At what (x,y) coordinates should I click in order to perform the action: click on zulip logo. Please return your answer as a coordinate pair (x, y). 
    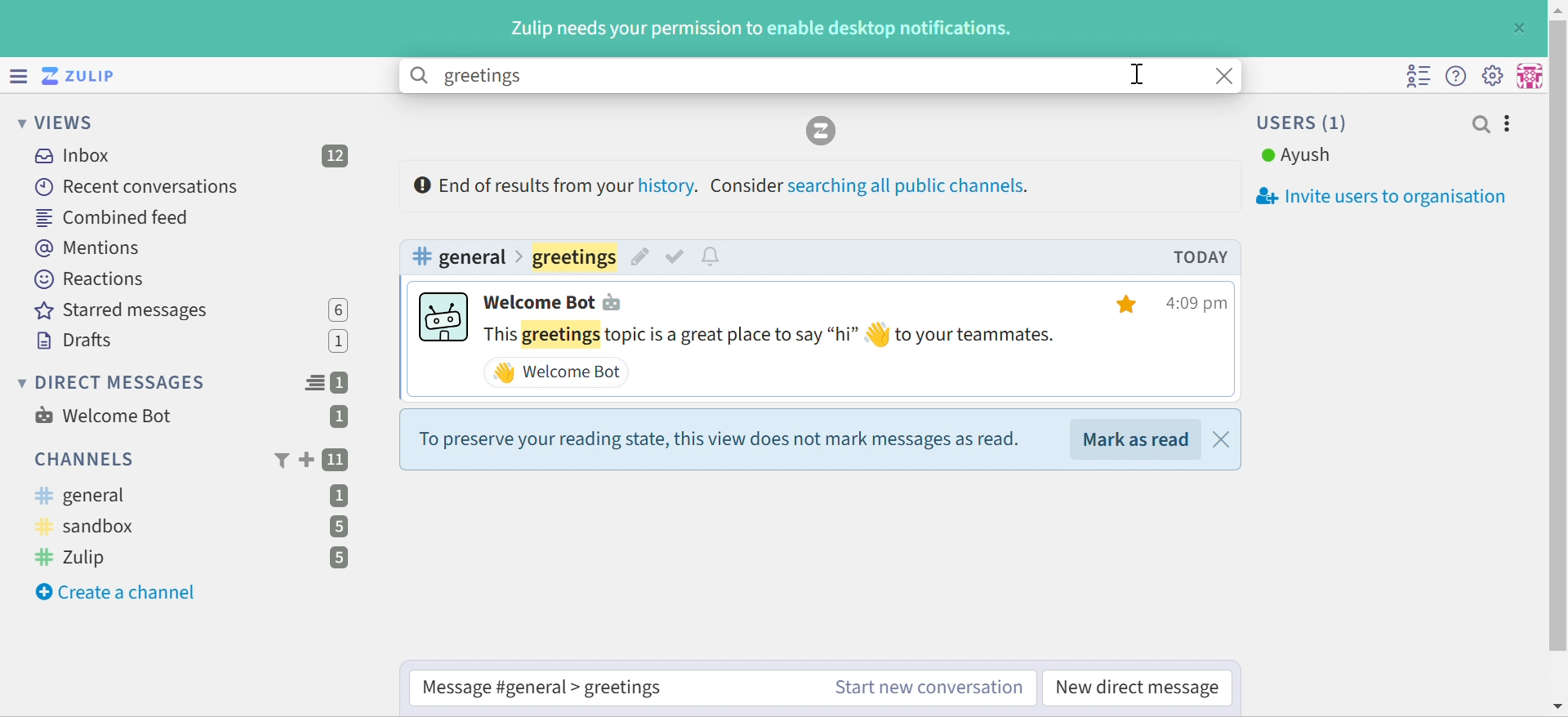
    Looking at the image, I should click on (823, 132).